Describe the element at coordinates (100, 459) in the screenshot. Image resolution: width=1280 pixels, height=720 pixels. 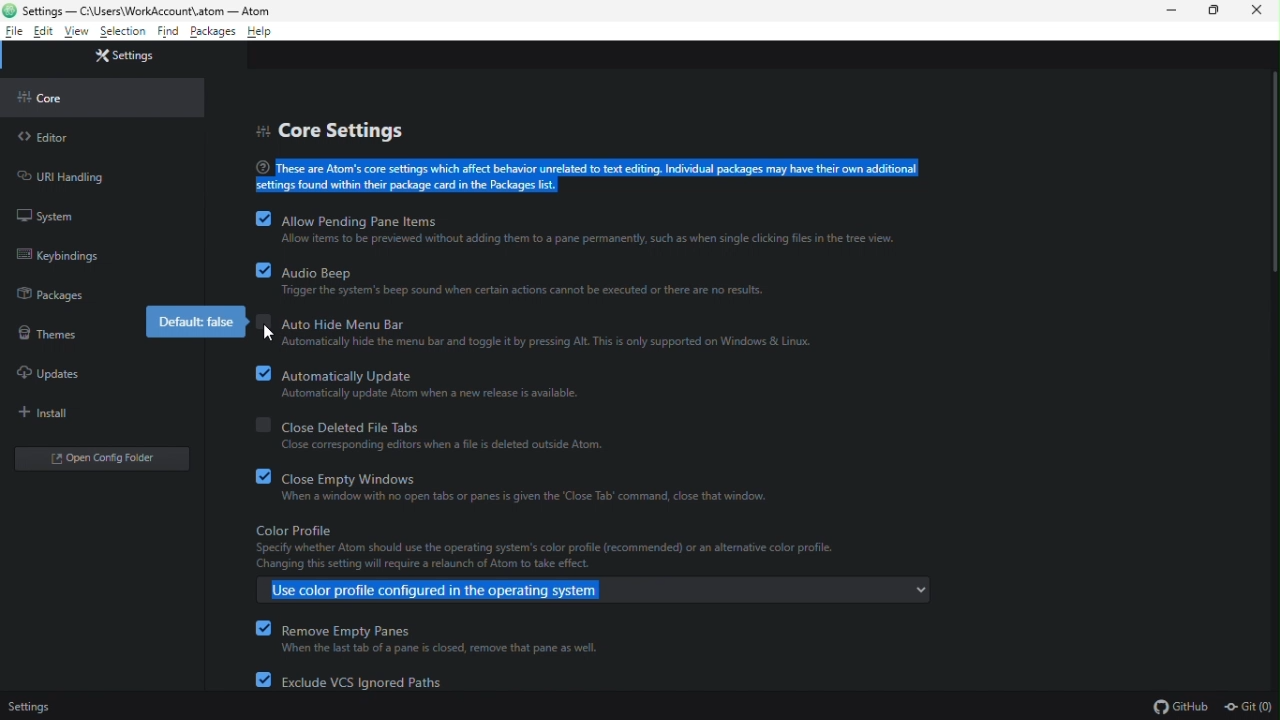
I see `open folder` at that location.